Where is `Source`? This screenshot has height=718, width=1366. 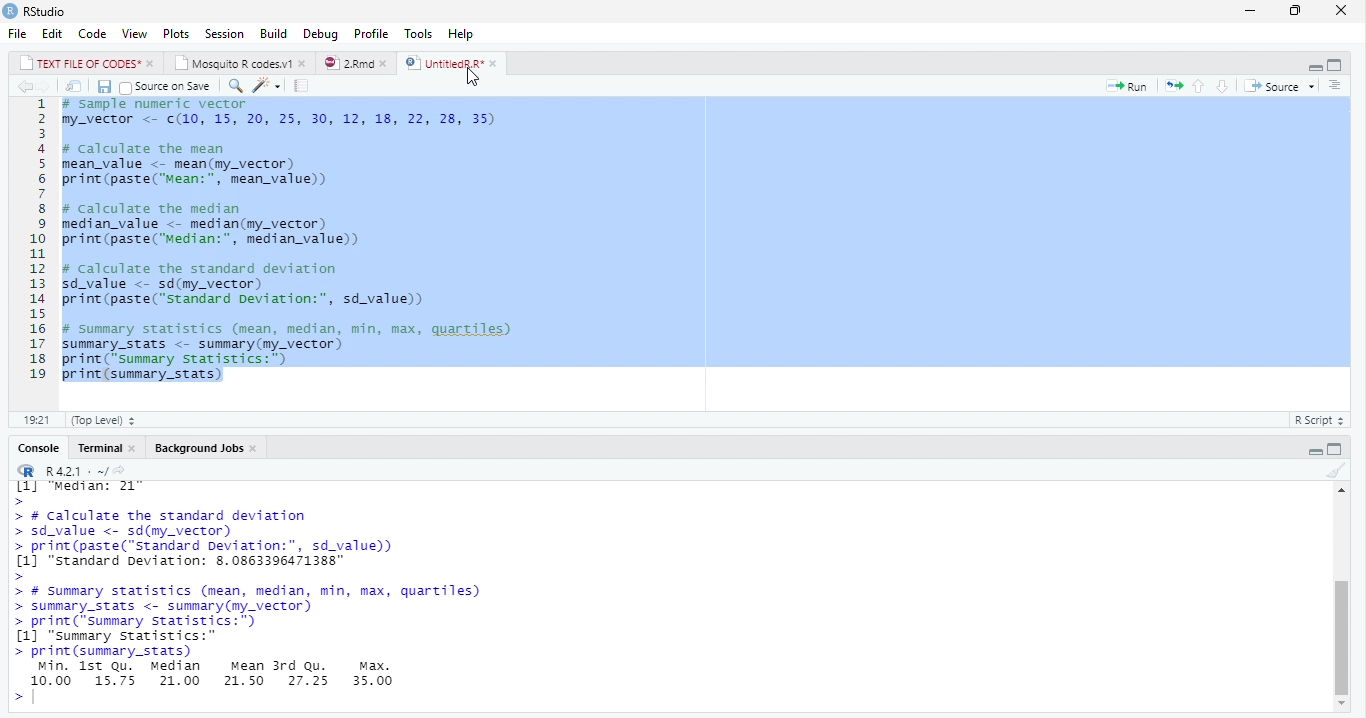 Source is located at coordinates (1274, 87).